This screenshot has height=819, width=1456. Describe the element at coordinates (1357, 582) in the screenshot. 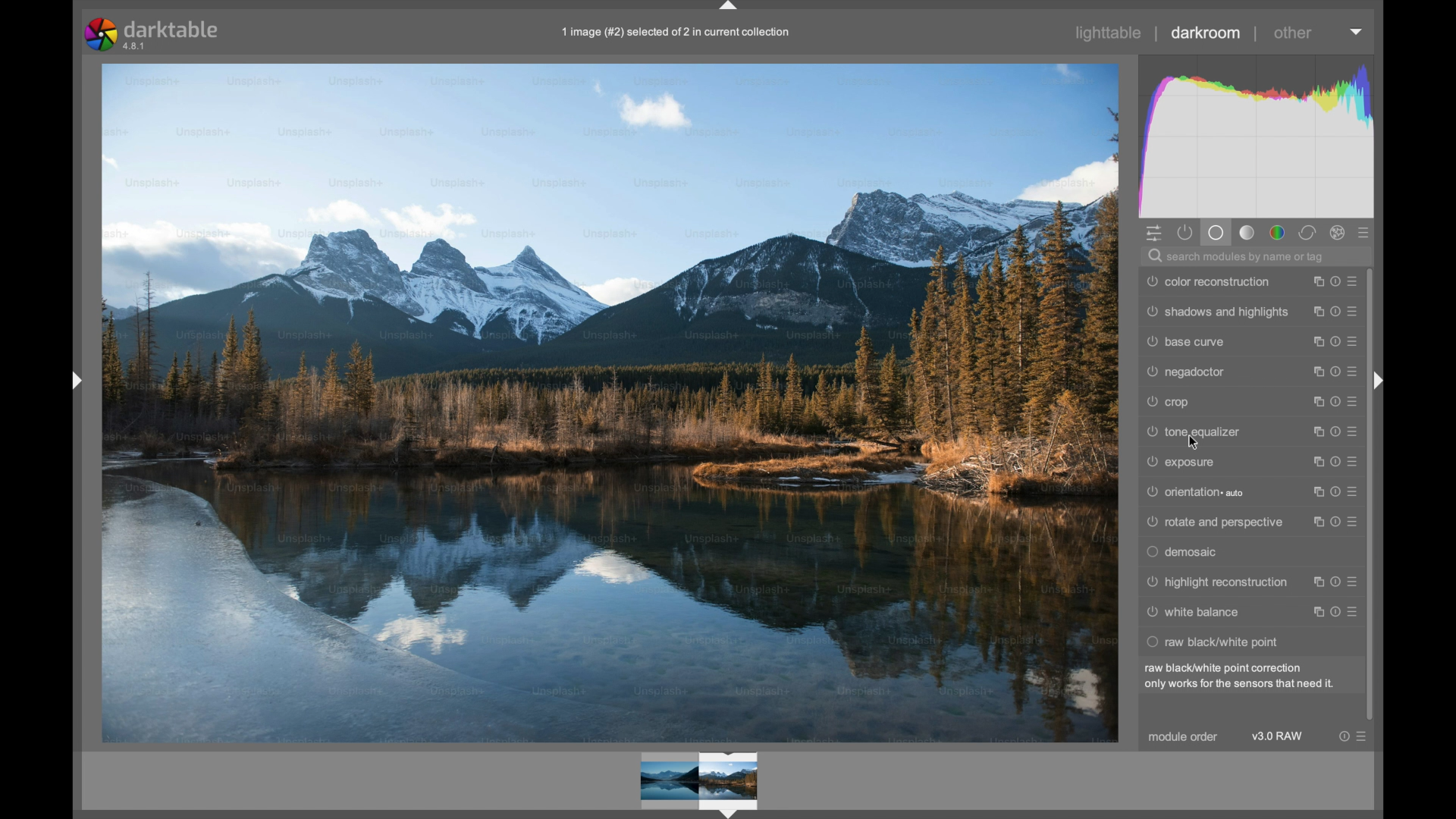

I see `presets` at that location.